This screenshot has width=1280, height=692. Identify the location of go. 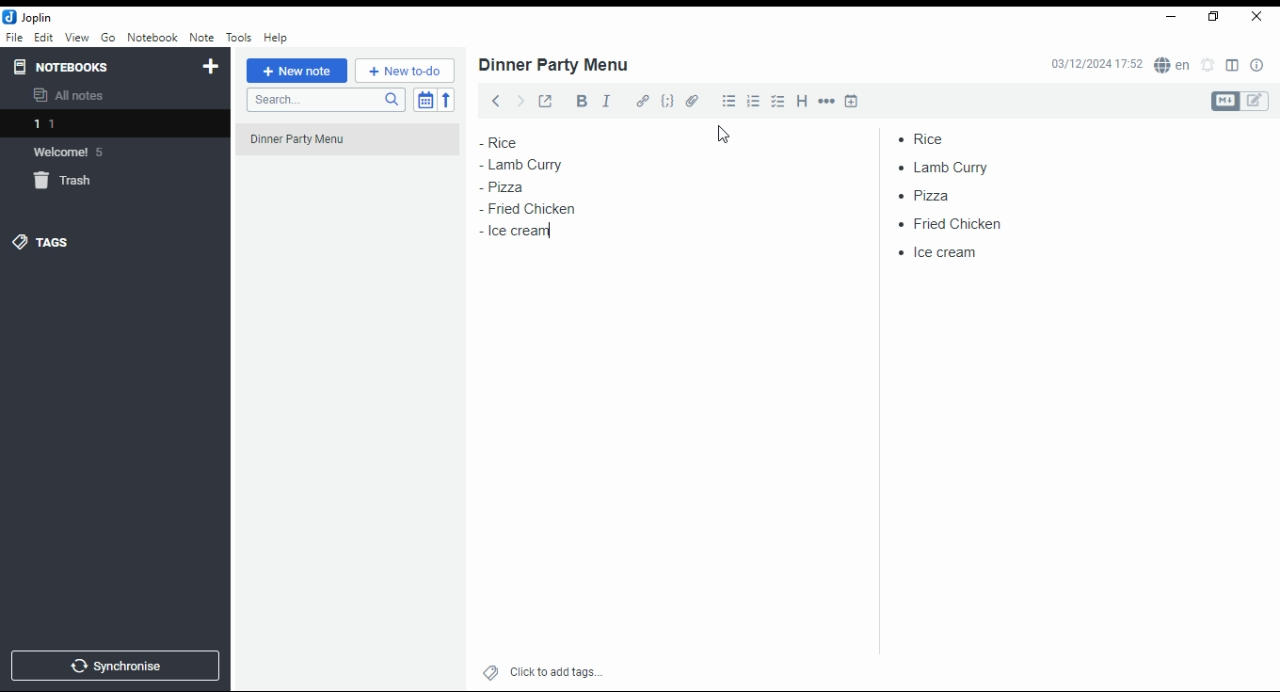
(108, 38).